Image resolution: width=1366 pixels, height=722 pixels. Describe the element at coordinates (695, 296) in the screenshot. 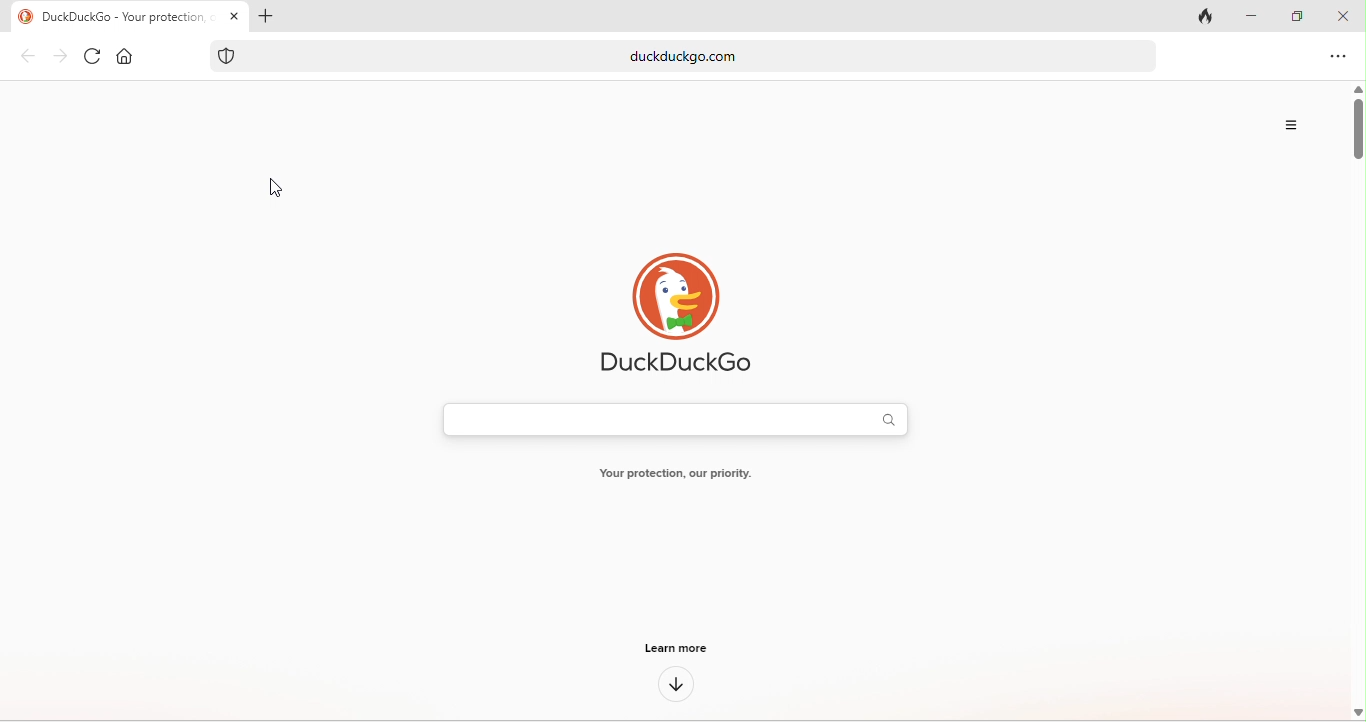

I see `duck duck go logo` at that location.